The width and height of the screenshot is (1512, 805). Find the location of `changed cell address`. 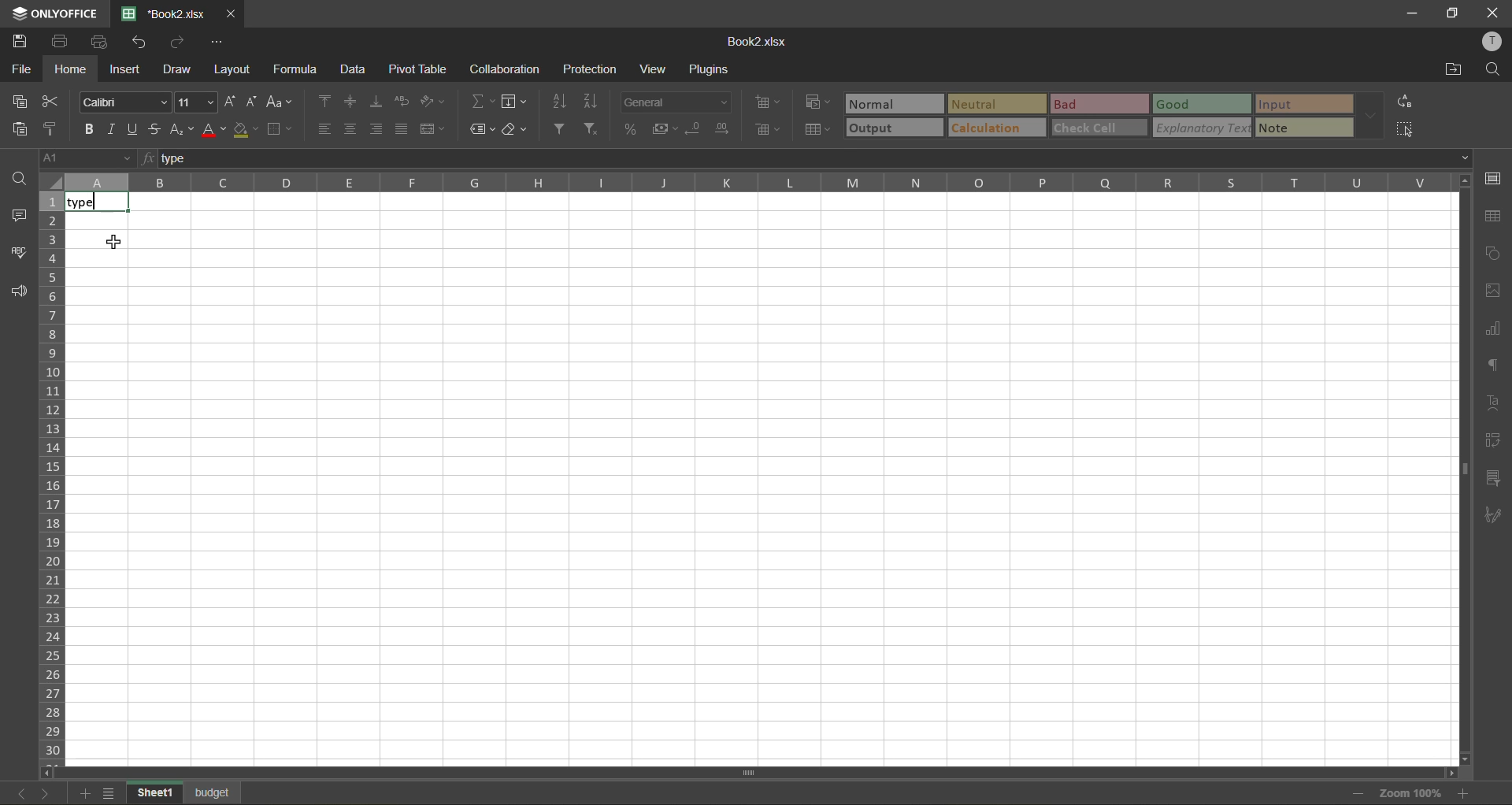

changed cell address is located at coordinates (84, 160).